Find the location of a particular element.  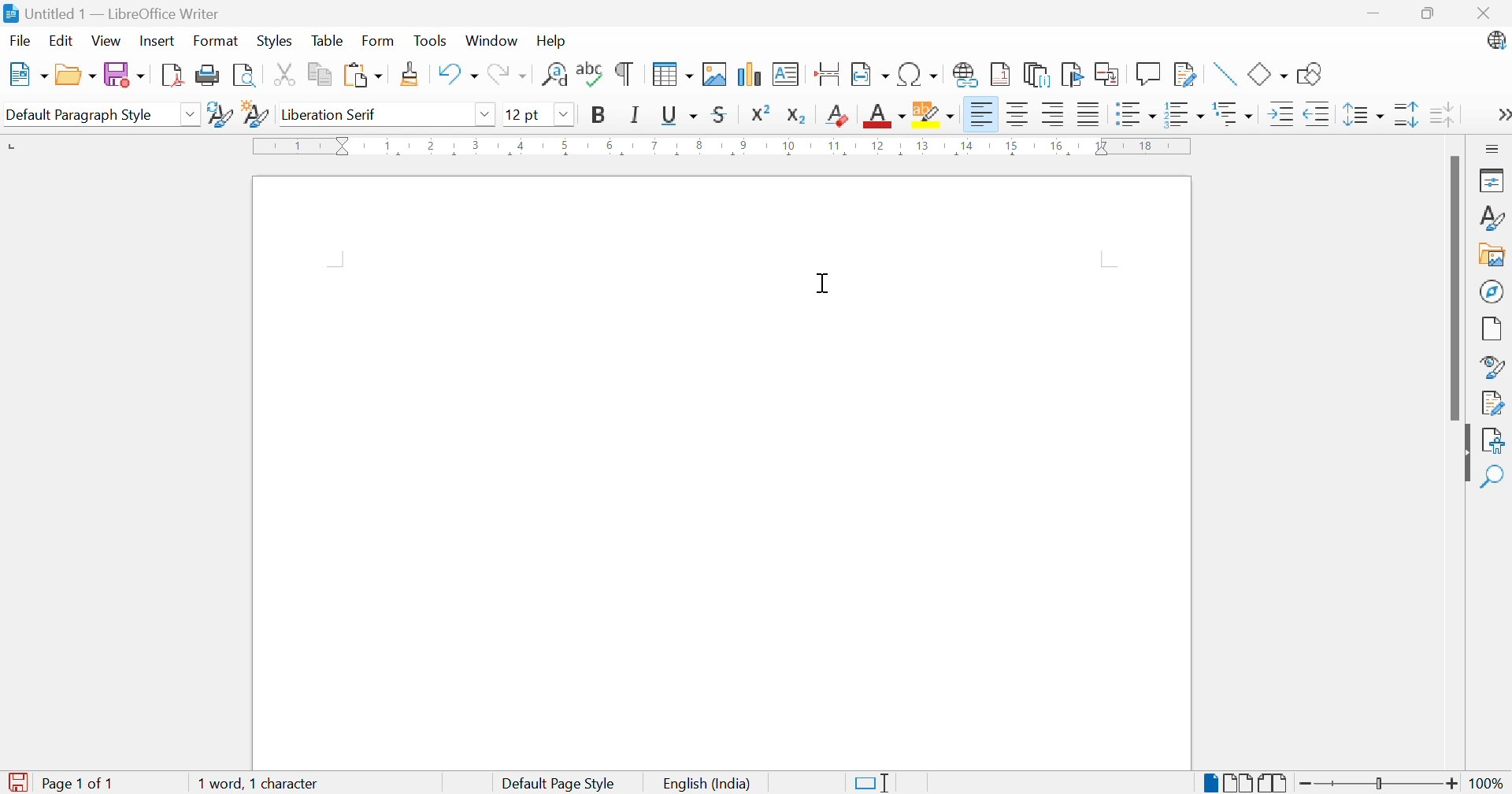

Slider is located at coordinates (1380, 784).